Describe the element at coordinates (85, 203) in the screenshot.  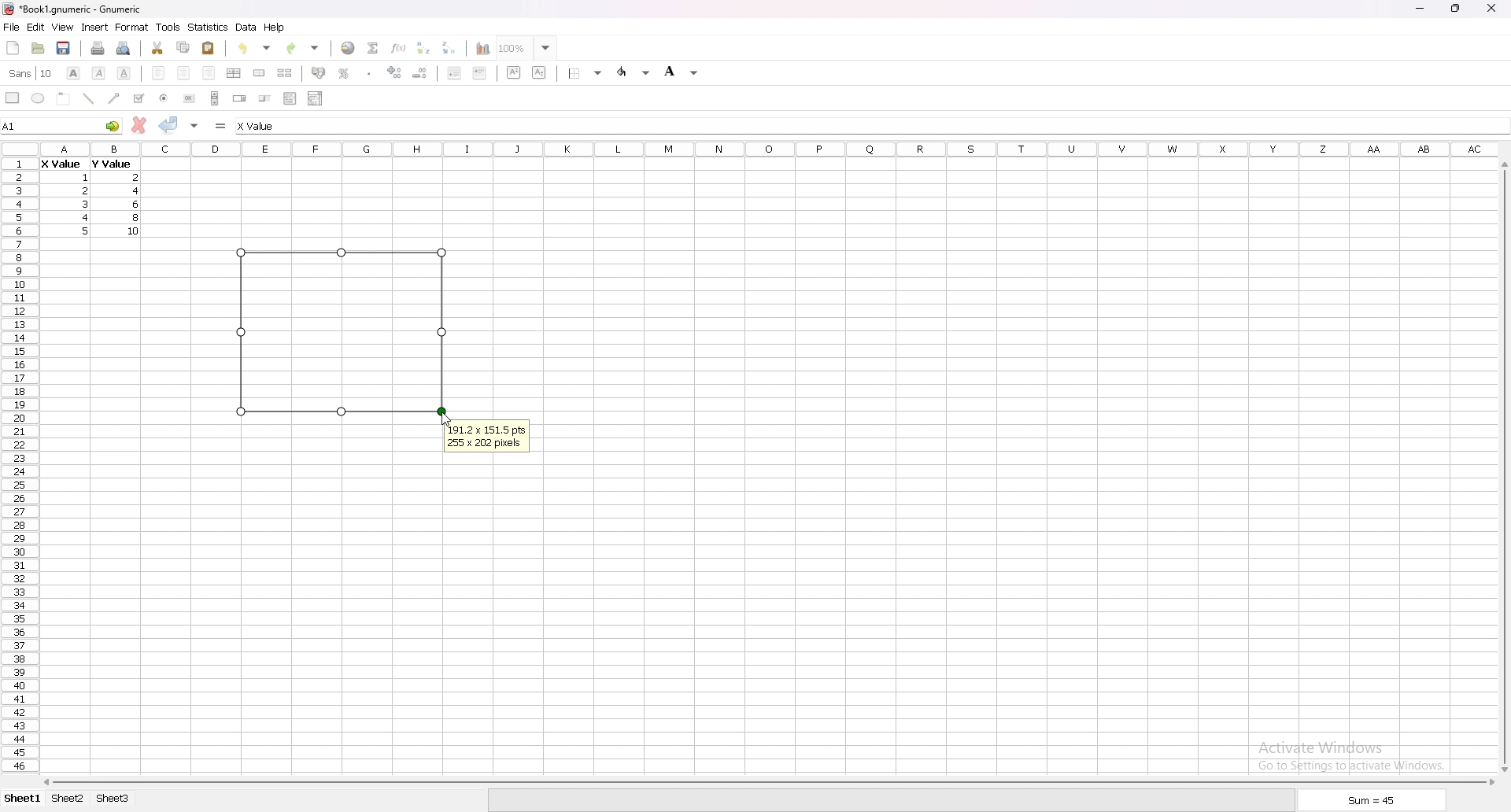
I see `value` at that location.